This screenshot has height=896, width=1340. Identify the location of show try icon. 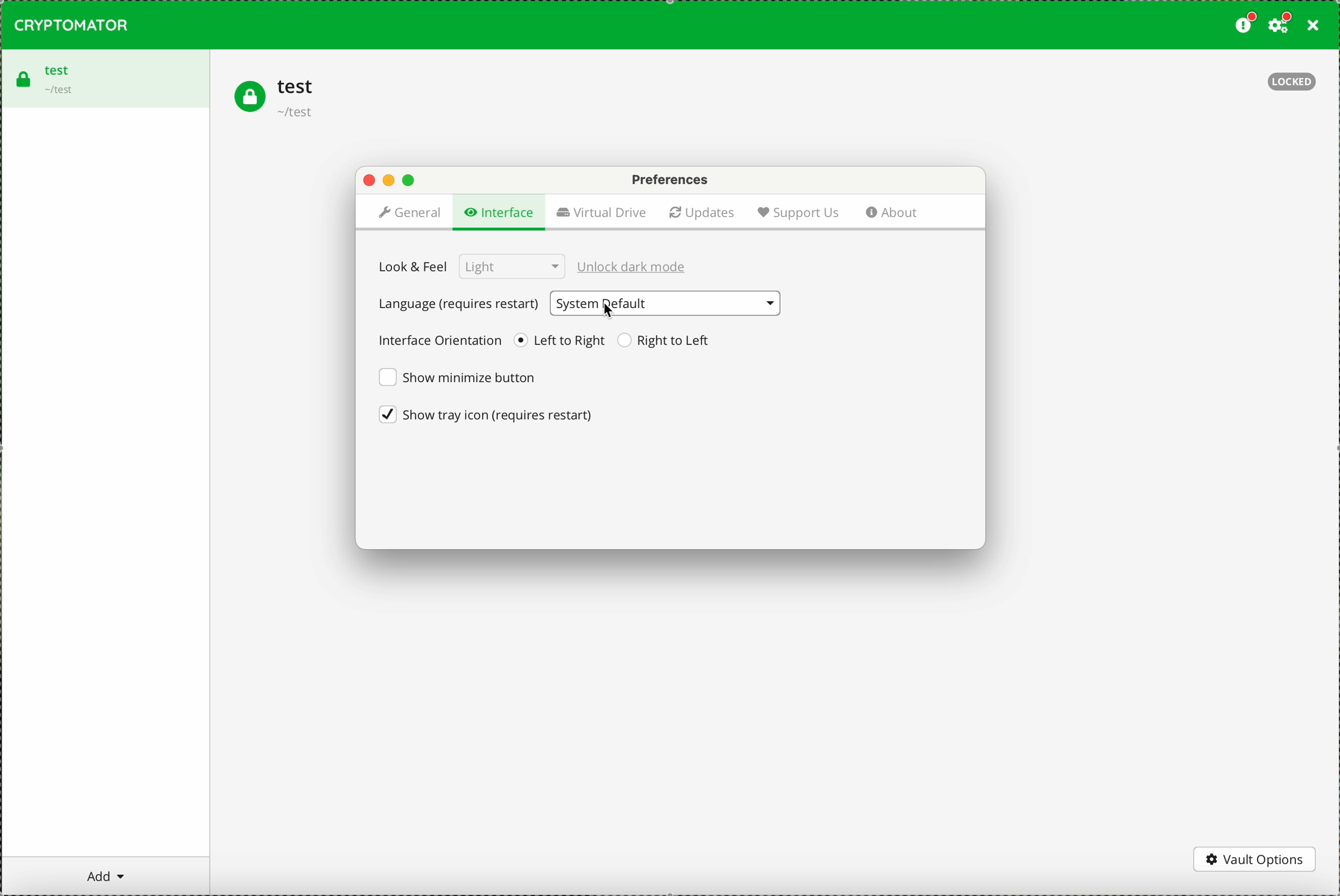
(486, 414).